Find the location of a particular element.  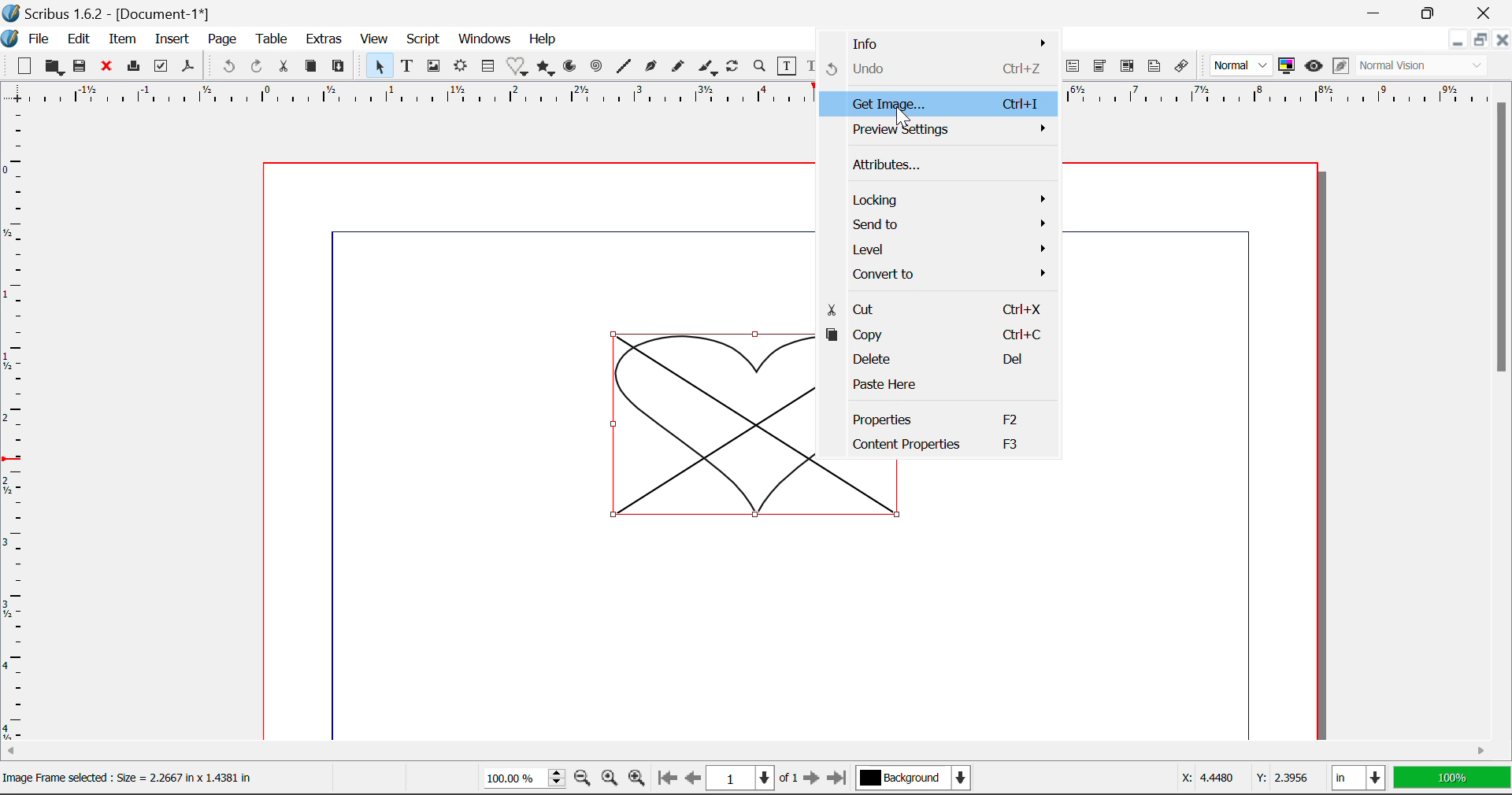

Help is located at coordinates (543, 39).